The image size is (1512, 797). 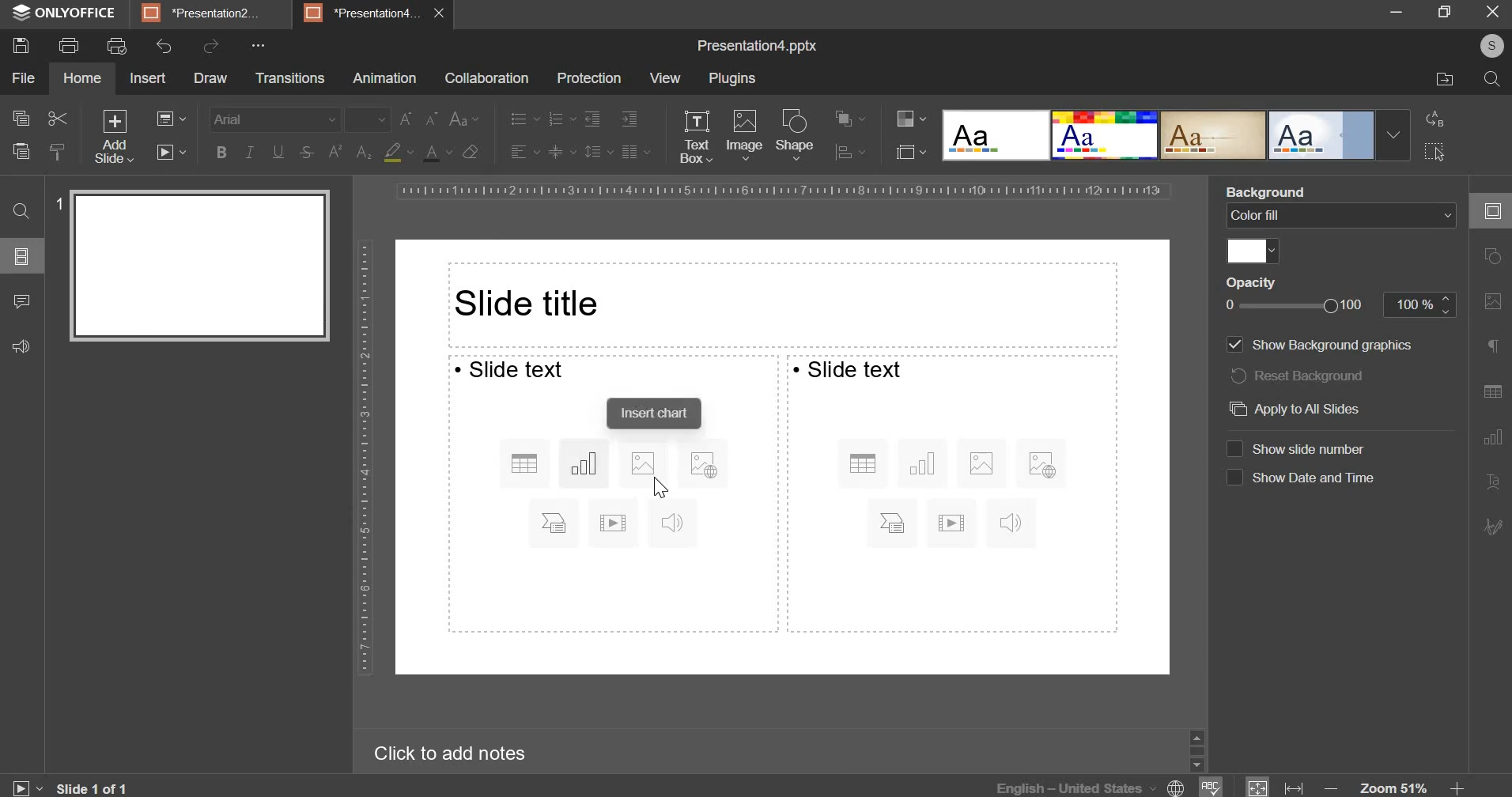 What do you see at coordinates (22, 301) in the screenshot?
I see `comments` at bounding box center [22, 301].